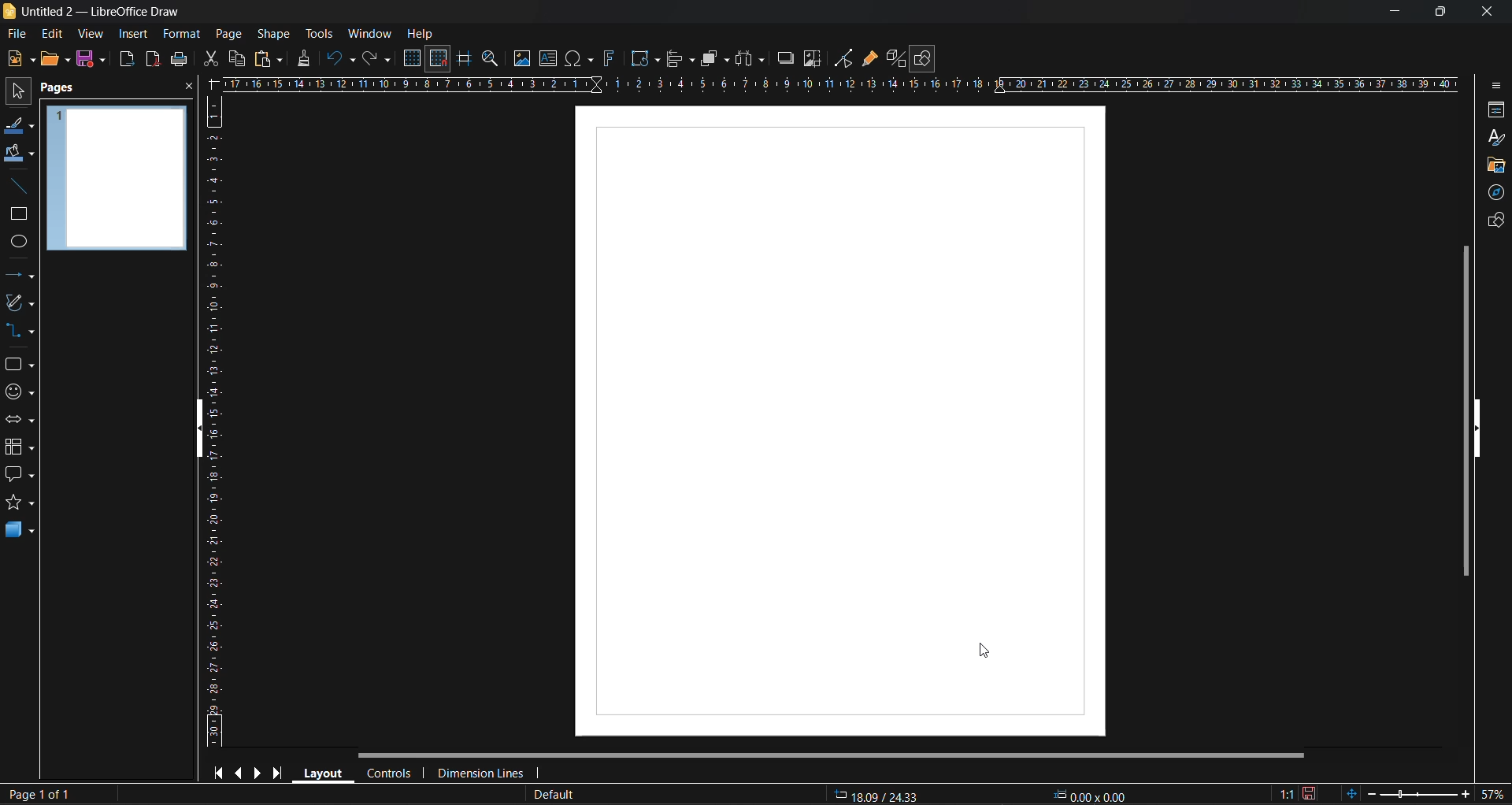 The width and height of the screenshot is (1512, 805). What do you see at coordinates (394, 773) in the screenshot?
I see `controls` at bounding box center [394, 773].